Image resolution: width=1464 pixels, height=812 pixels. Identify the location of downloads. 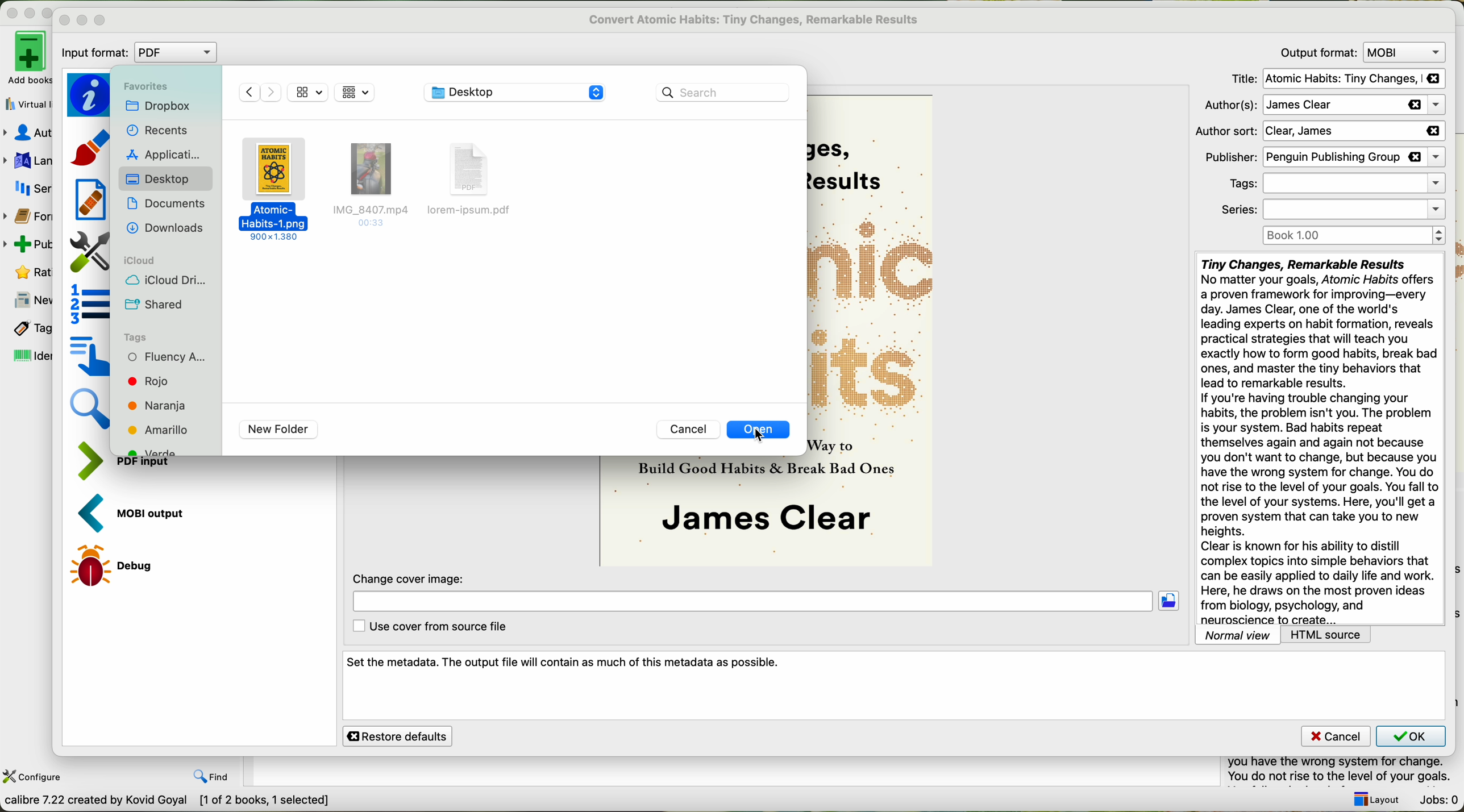
(165, 229).